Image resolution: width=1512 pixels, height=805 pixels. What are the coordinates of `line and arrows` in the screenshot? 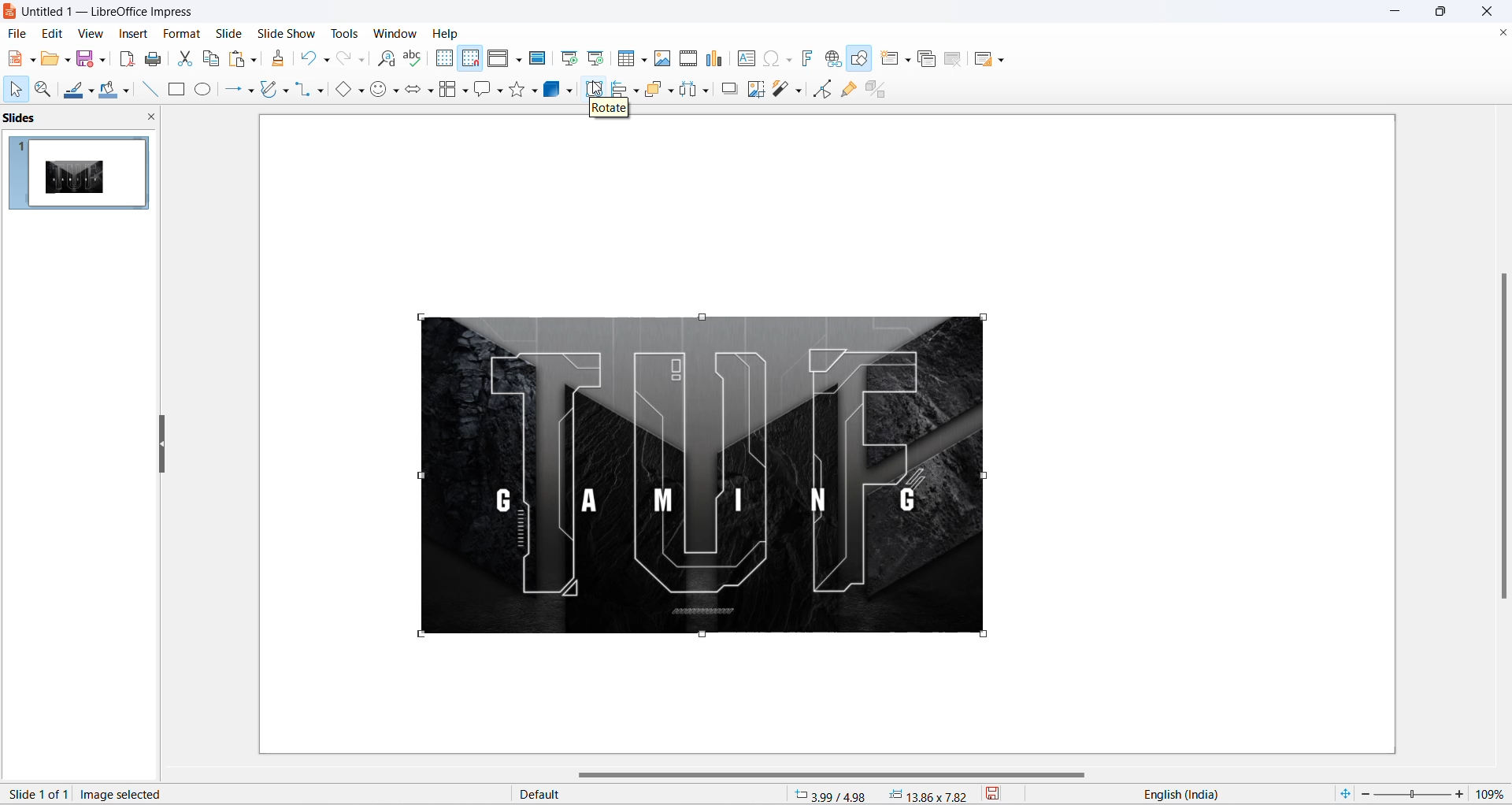 It's located at (230, 90).